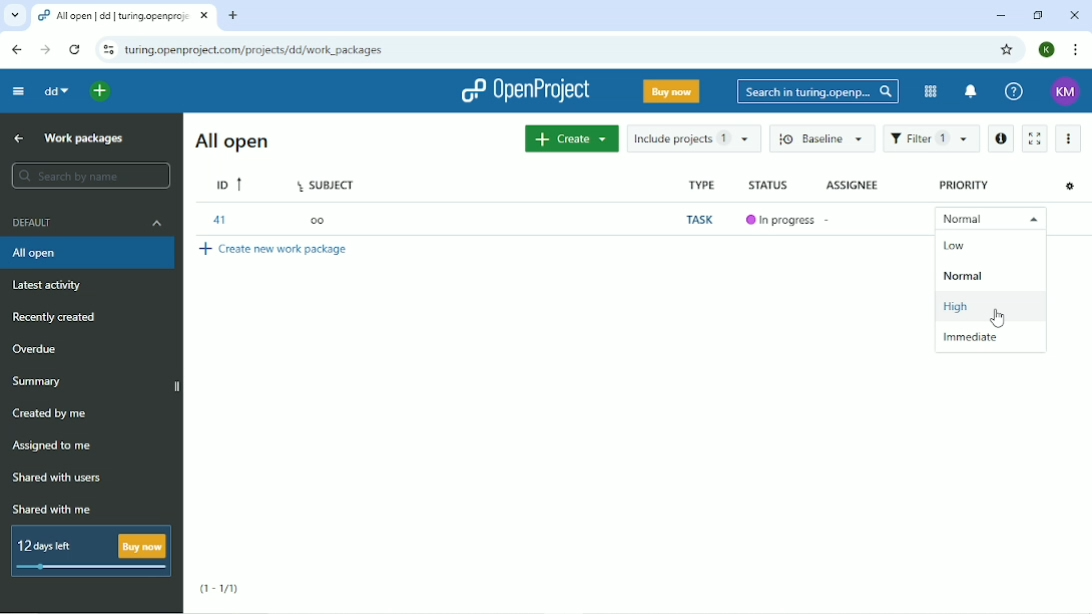  I want to click on Customize and control google chrome, so click(1074, 48).